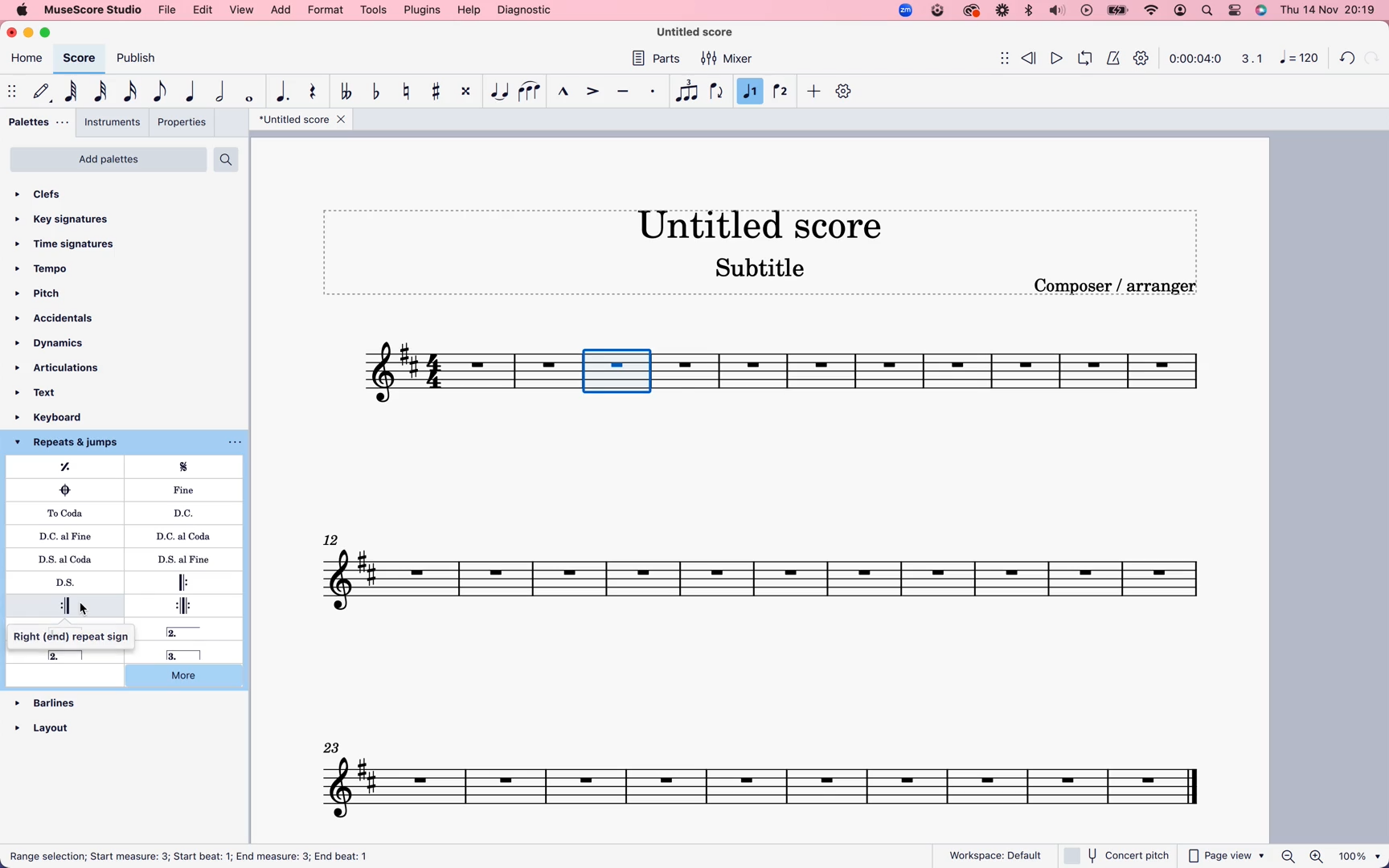  What do you see at coordinates (1112, 57) in the screenshot?
I see `metronome` at bounding box center [1112, 57].